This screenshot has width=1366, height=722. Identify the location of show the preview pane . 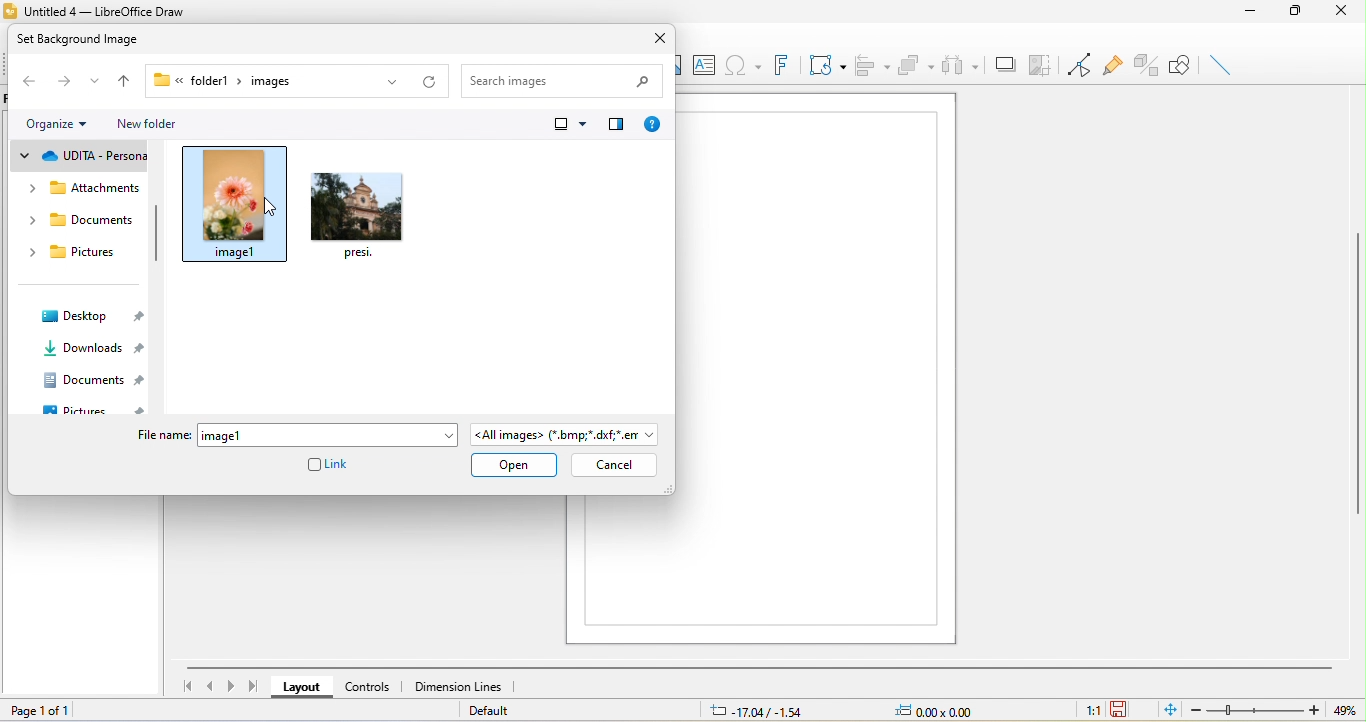
(616, 129).